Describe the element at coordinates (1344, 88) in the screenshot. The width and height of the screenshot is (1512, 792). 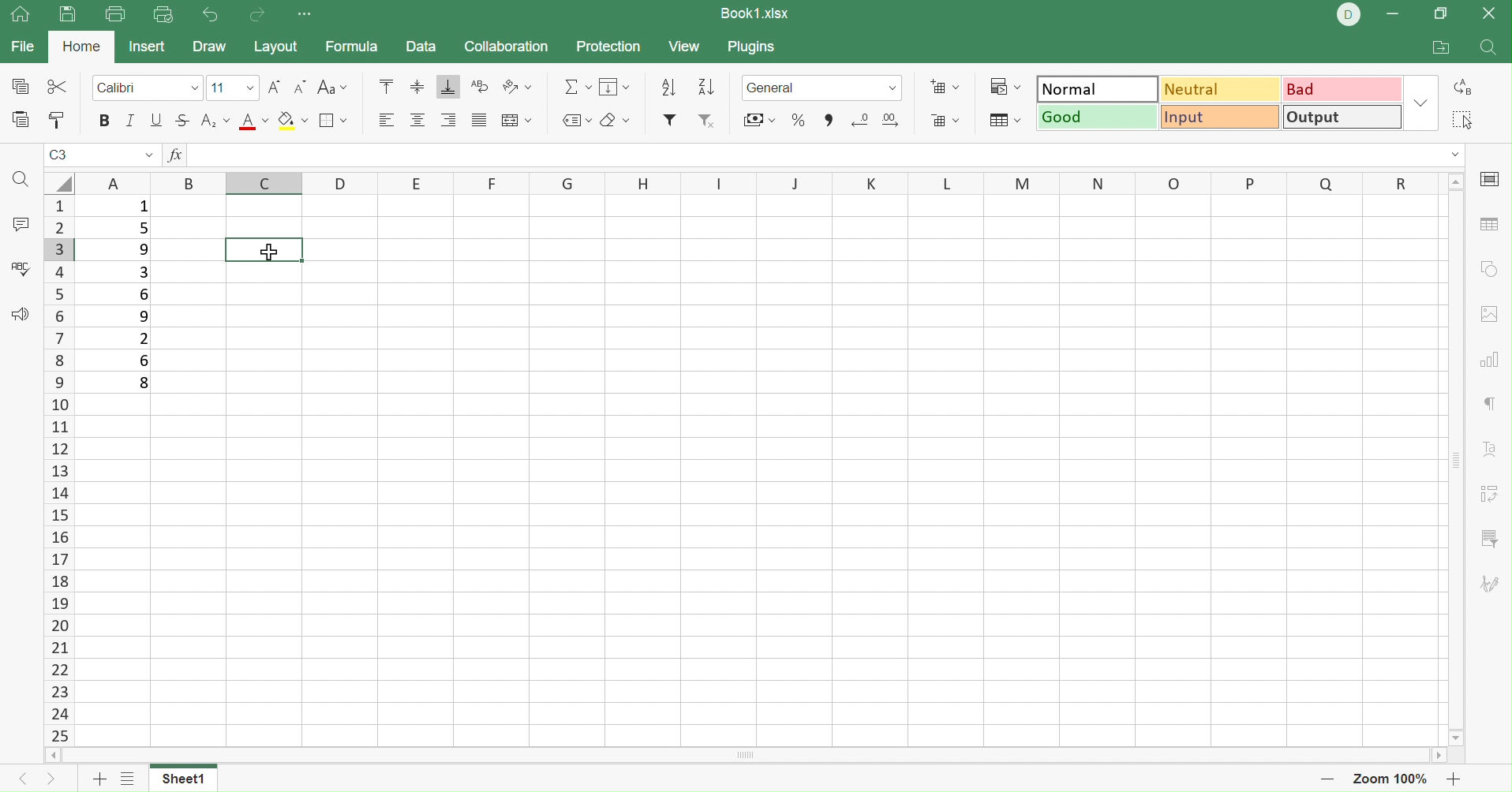
I see `Bad` at that location.